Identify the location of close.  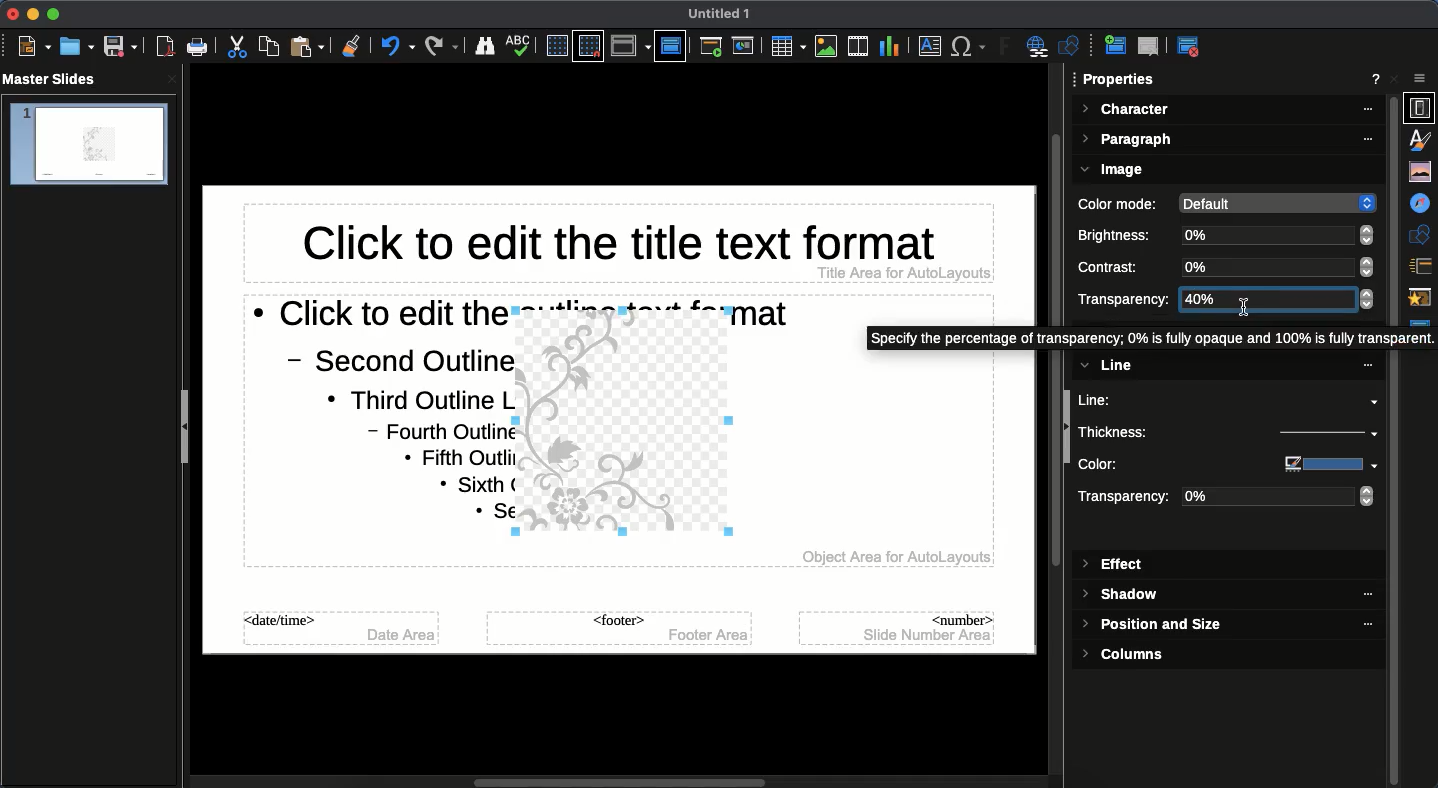
(172, 79).